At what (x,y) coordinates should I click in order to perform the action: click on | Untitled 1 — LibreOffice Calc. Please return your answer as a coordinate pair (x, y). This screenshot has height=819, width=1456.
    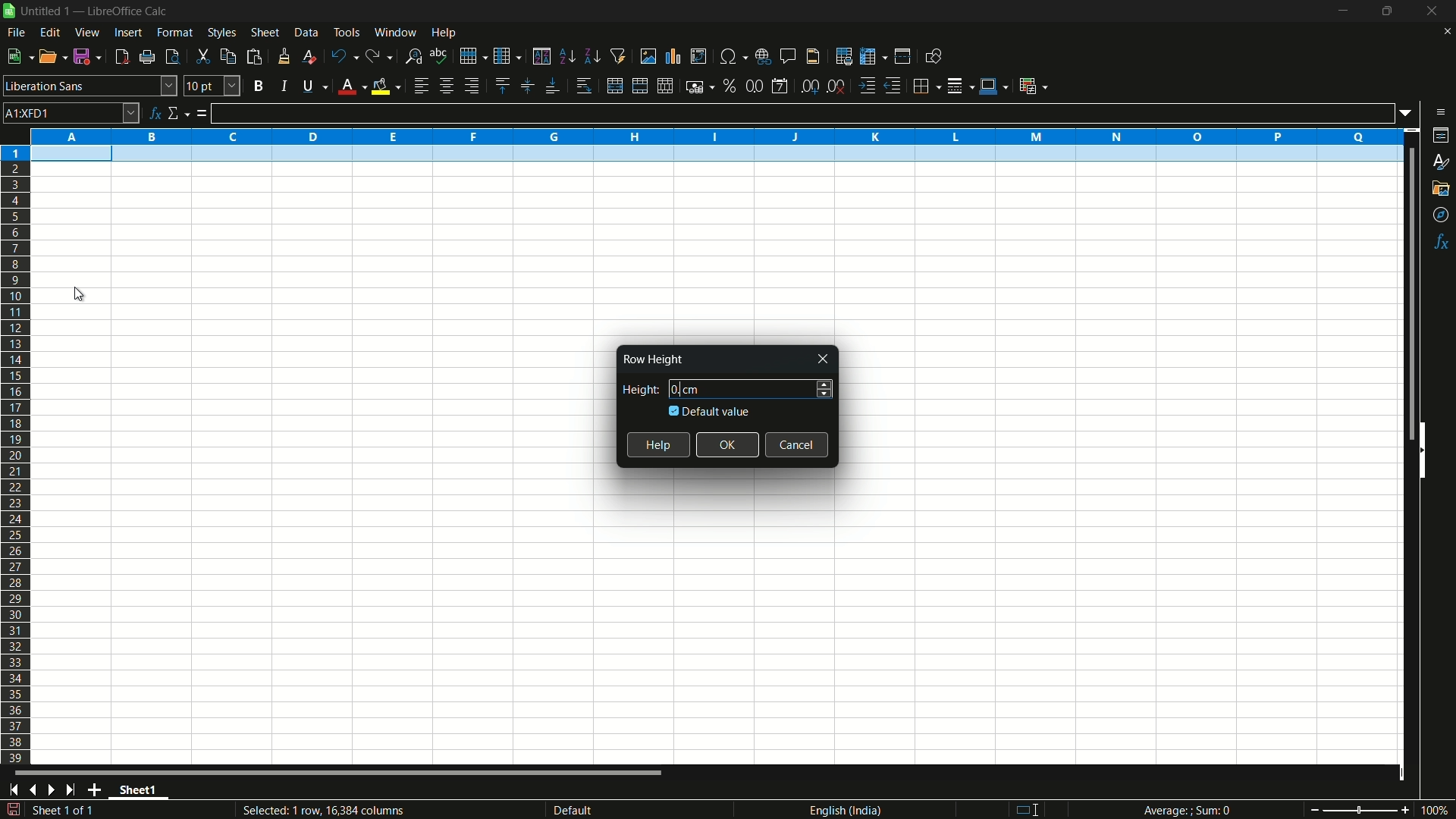
    Looking at the image, I should click on (92, 10).